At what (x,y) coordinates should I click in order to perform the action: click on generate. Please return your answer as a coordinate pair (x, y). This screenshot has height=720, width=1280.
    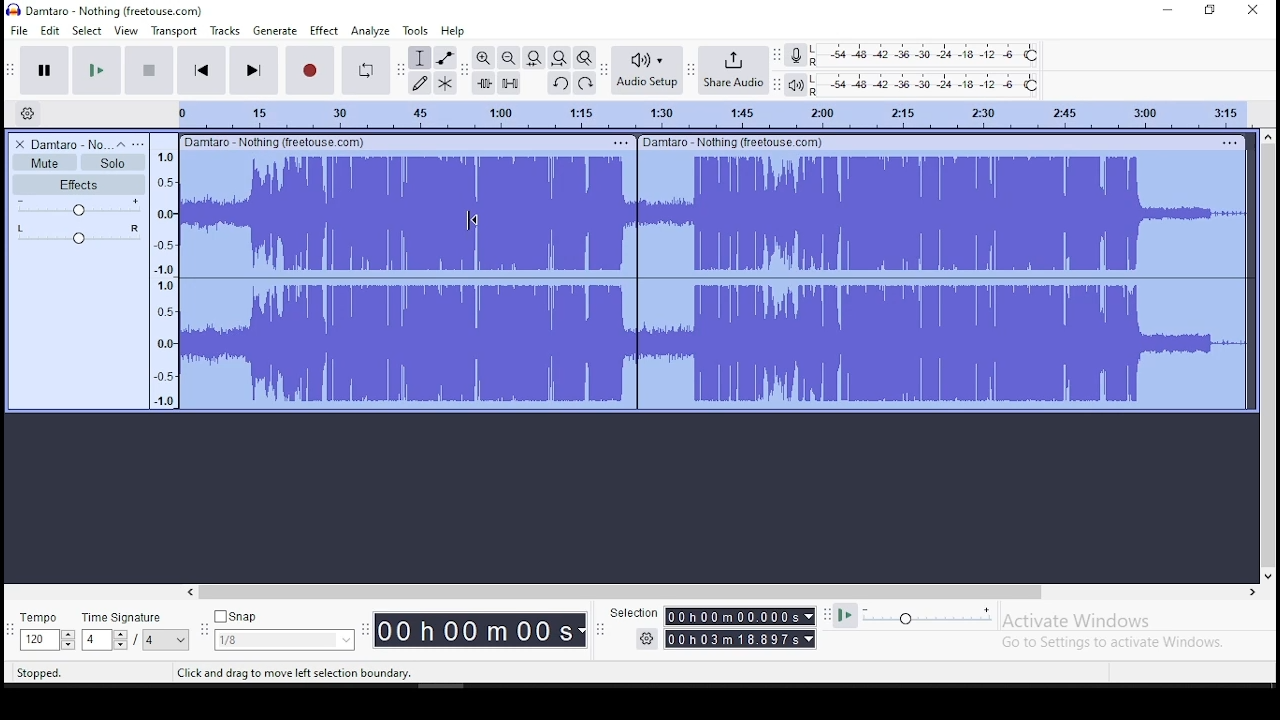
    Looking at the image, I should click on (277, 32).